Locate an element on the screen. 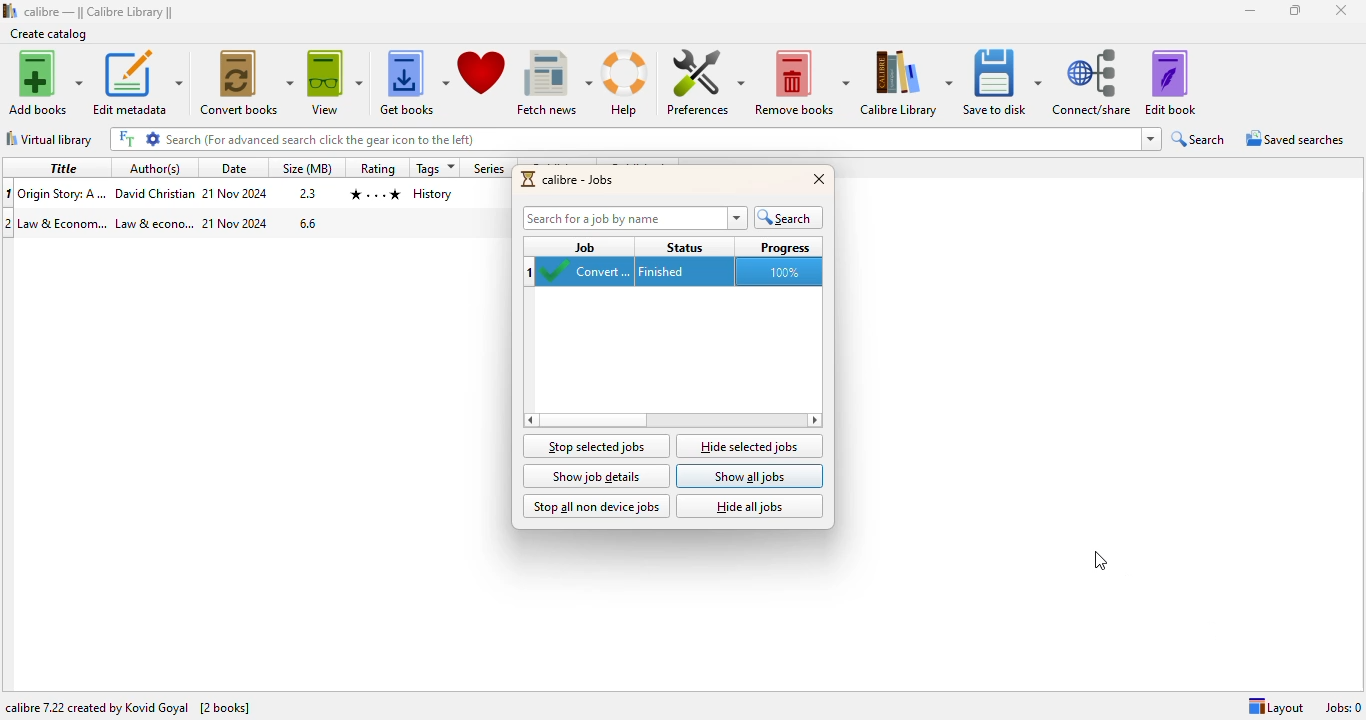 The height and width of the screenshot is (720, 1366). author(s) is located at coordinates (156, 168).